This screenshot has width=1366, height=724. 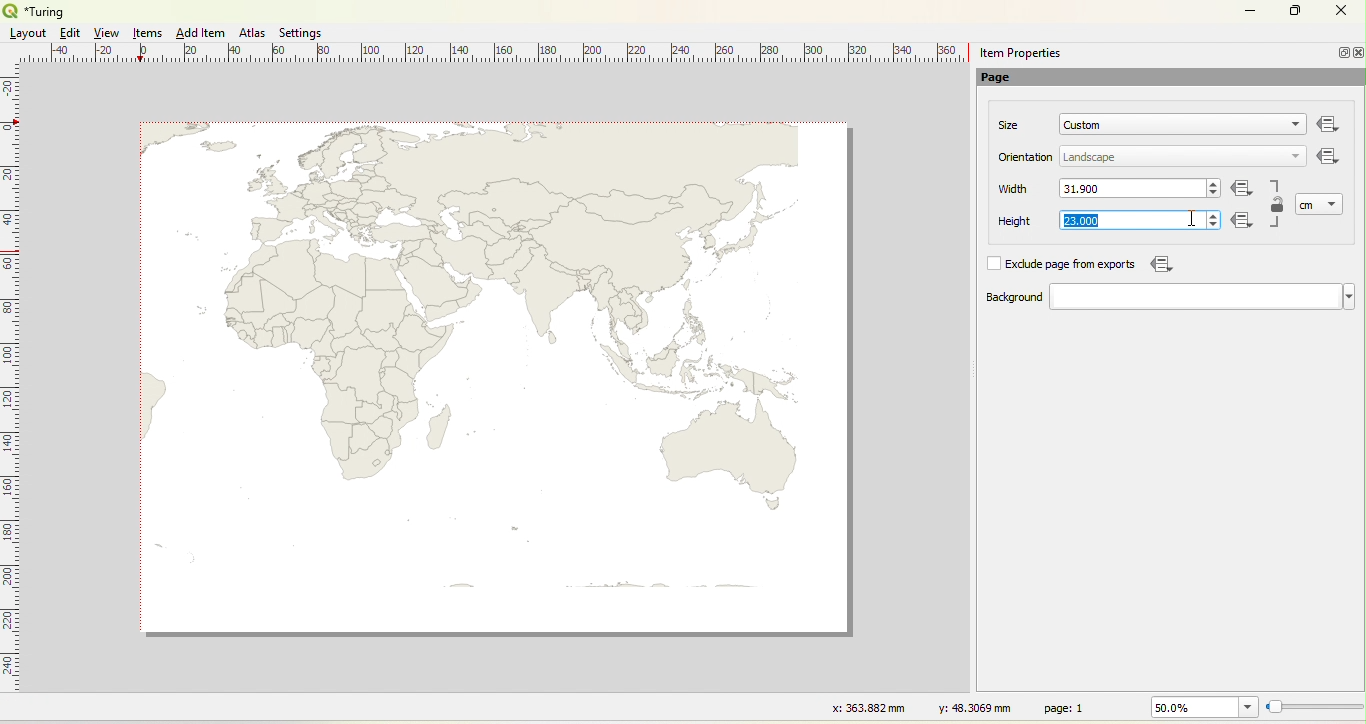 I want to click on page: 1, so click(x=1067, y=707).